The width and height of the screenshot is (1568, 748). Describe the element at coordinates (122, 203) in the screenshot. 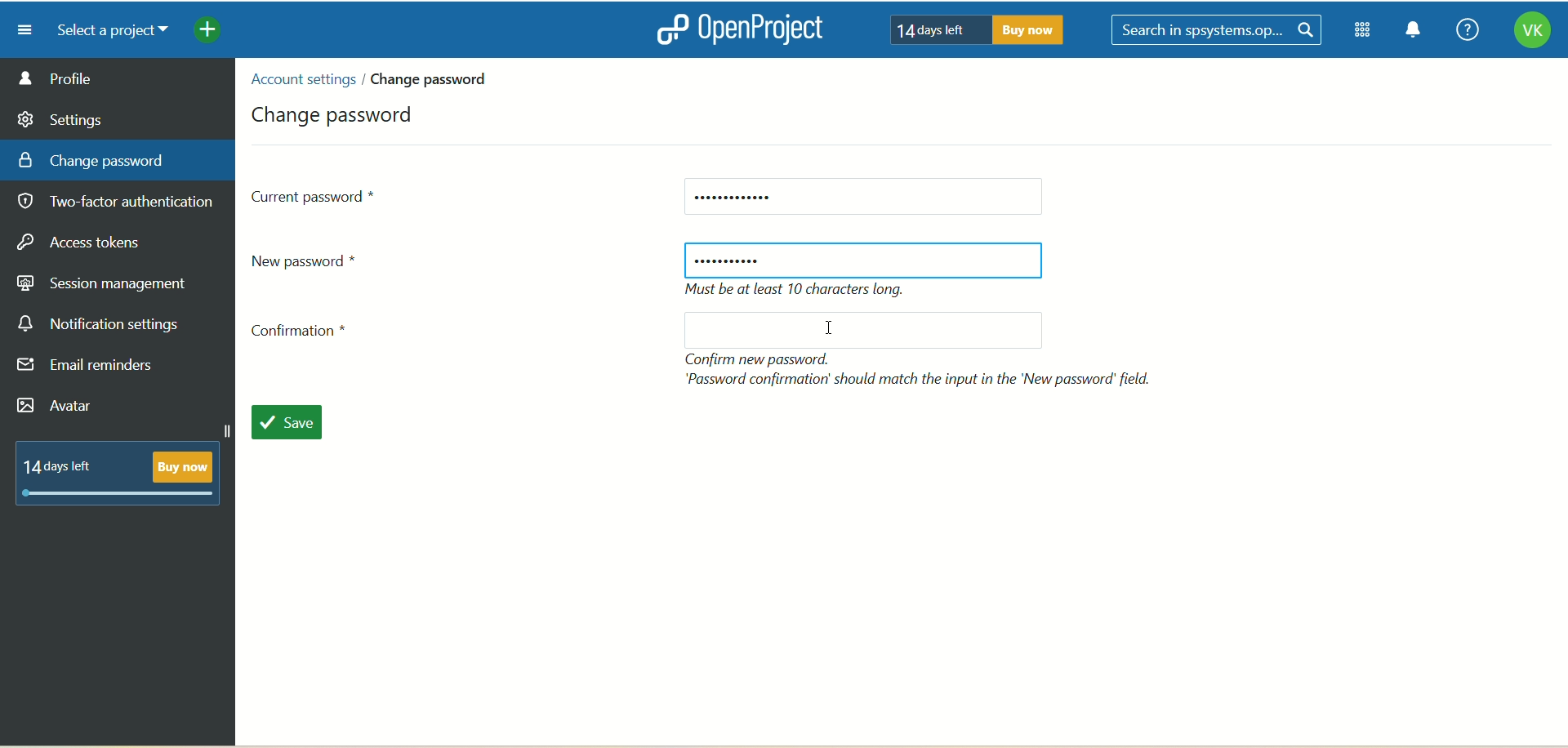

I see `two factor authentication` at that location.